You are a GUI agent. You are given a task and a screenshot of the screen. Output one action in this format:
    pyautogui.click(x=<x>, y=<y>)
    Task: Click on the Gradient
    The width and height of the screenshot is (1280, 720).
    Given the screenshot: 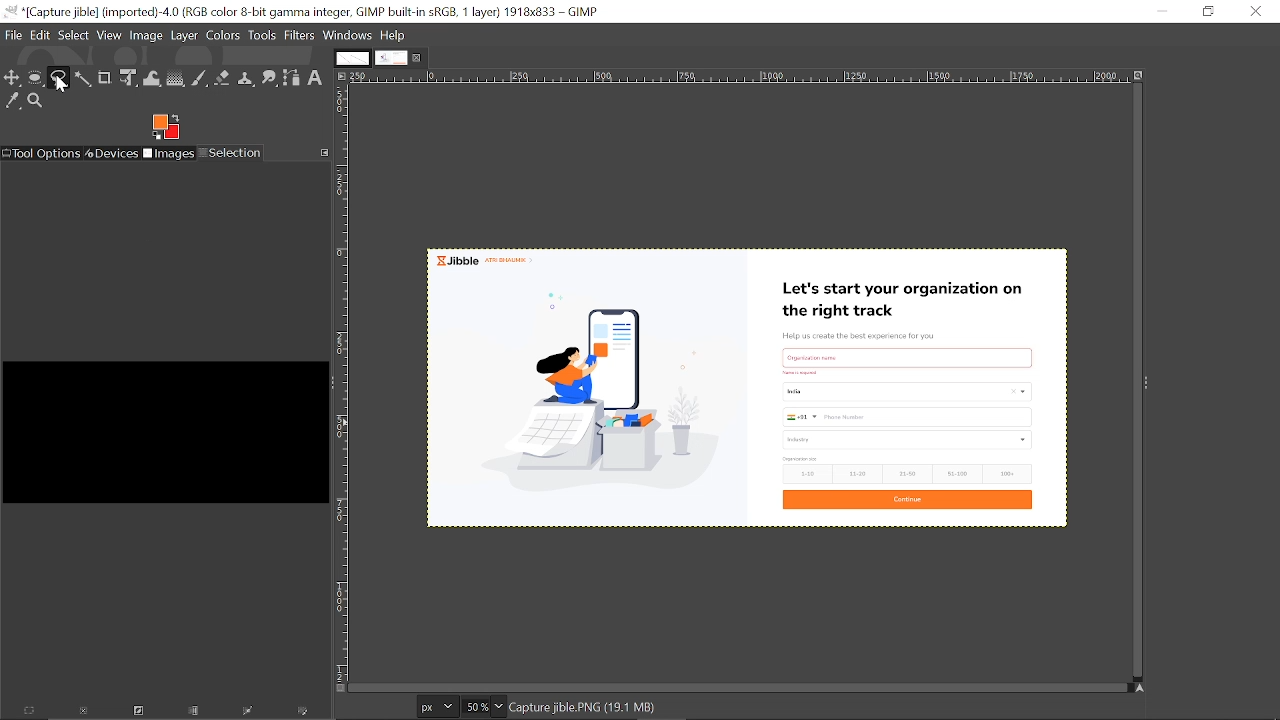 What is the action you would take?
    pyautogui.click(x=175, y=79)
    